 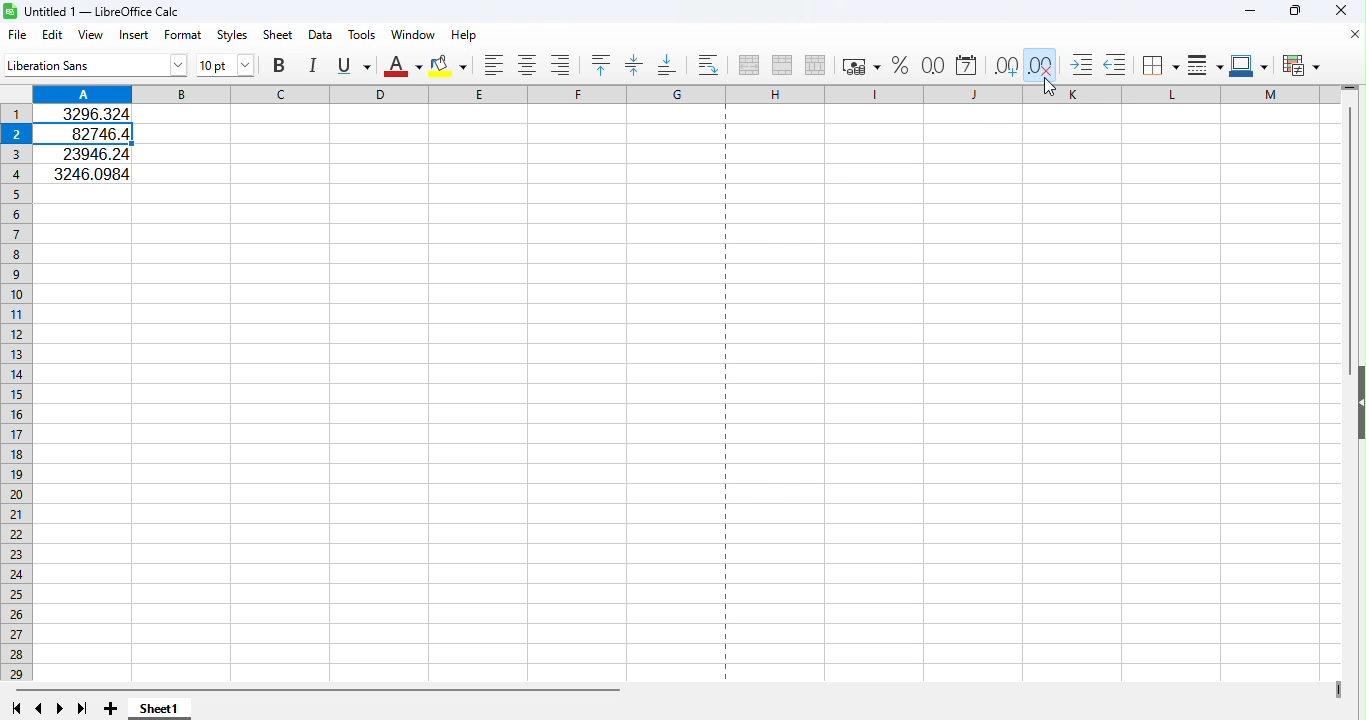 I want to click on Align left, so click(x=496, y=65).